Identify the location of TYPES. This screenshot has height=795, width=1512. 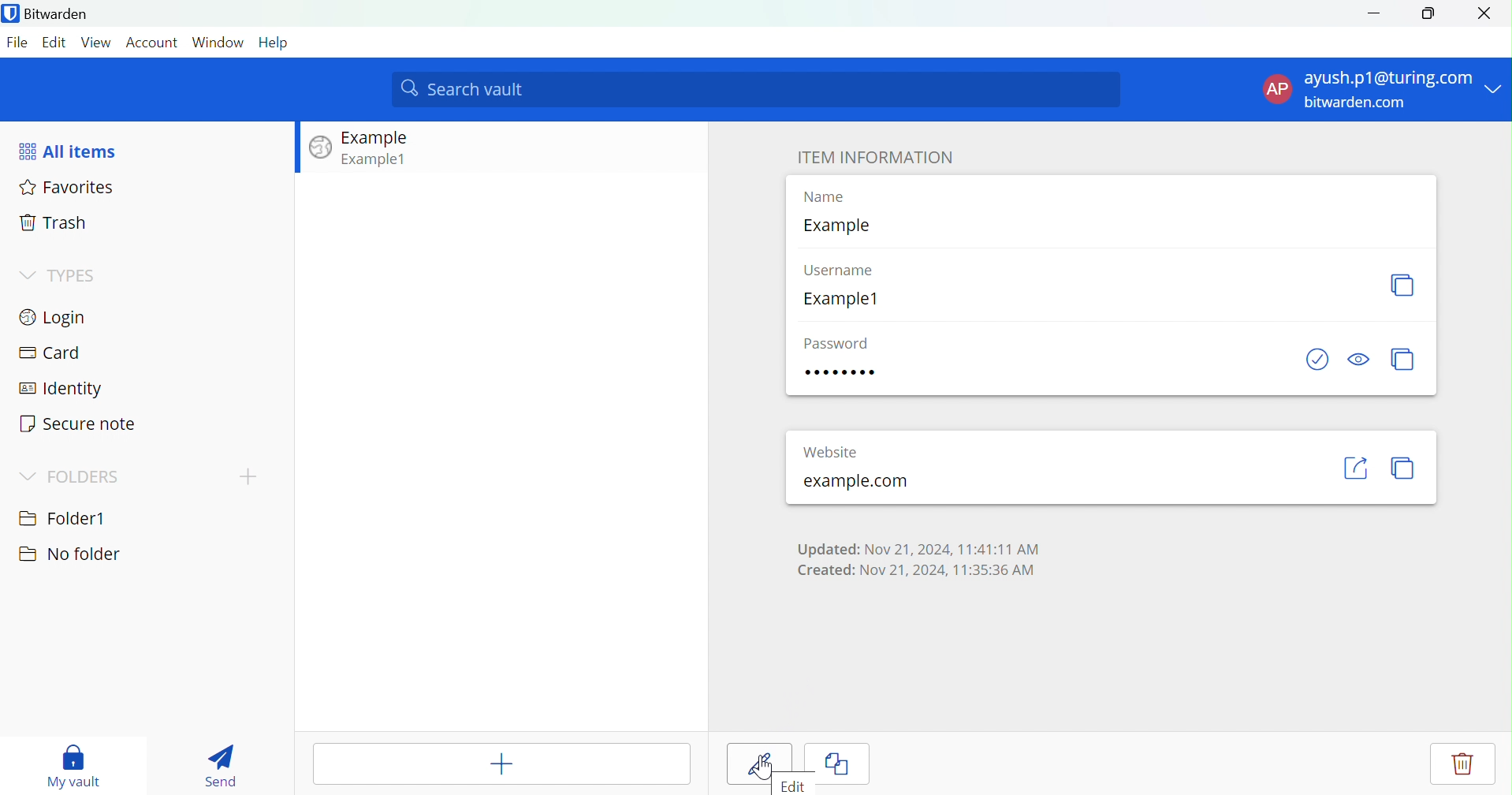
(74, 277).